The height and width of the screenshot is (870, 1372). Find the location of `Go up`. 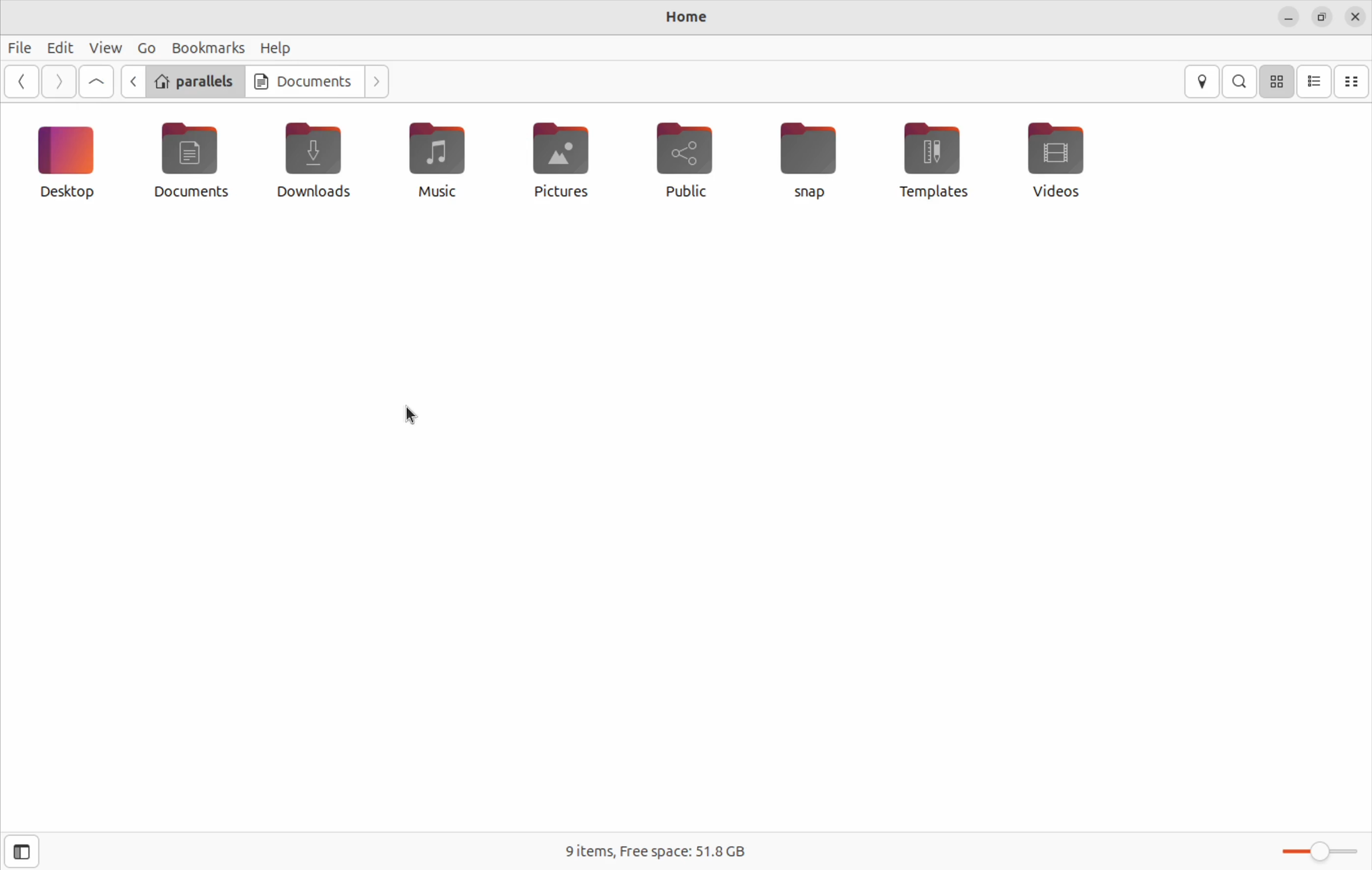

Go up is located at coordinates (96, 82).